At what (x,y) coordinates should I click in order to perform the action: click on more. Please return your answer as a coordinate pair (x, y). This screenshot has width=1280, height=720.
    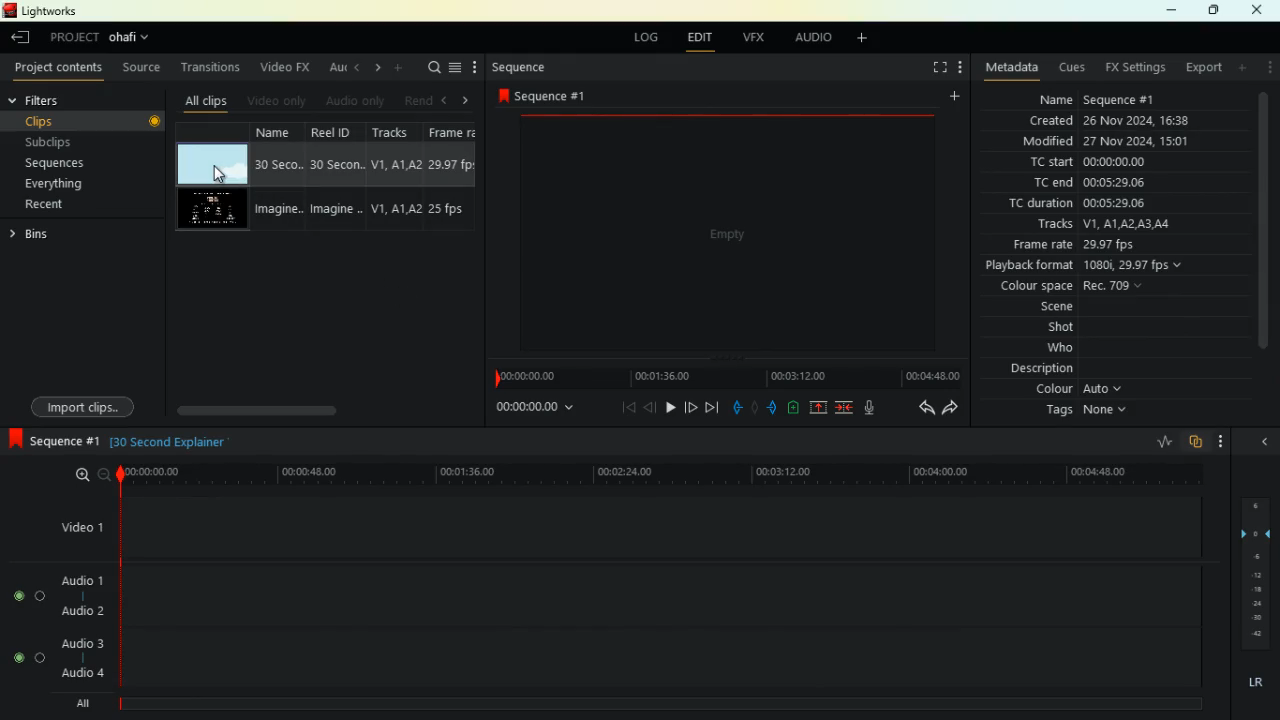
    Looking at the image, I should click on (1222, 440).